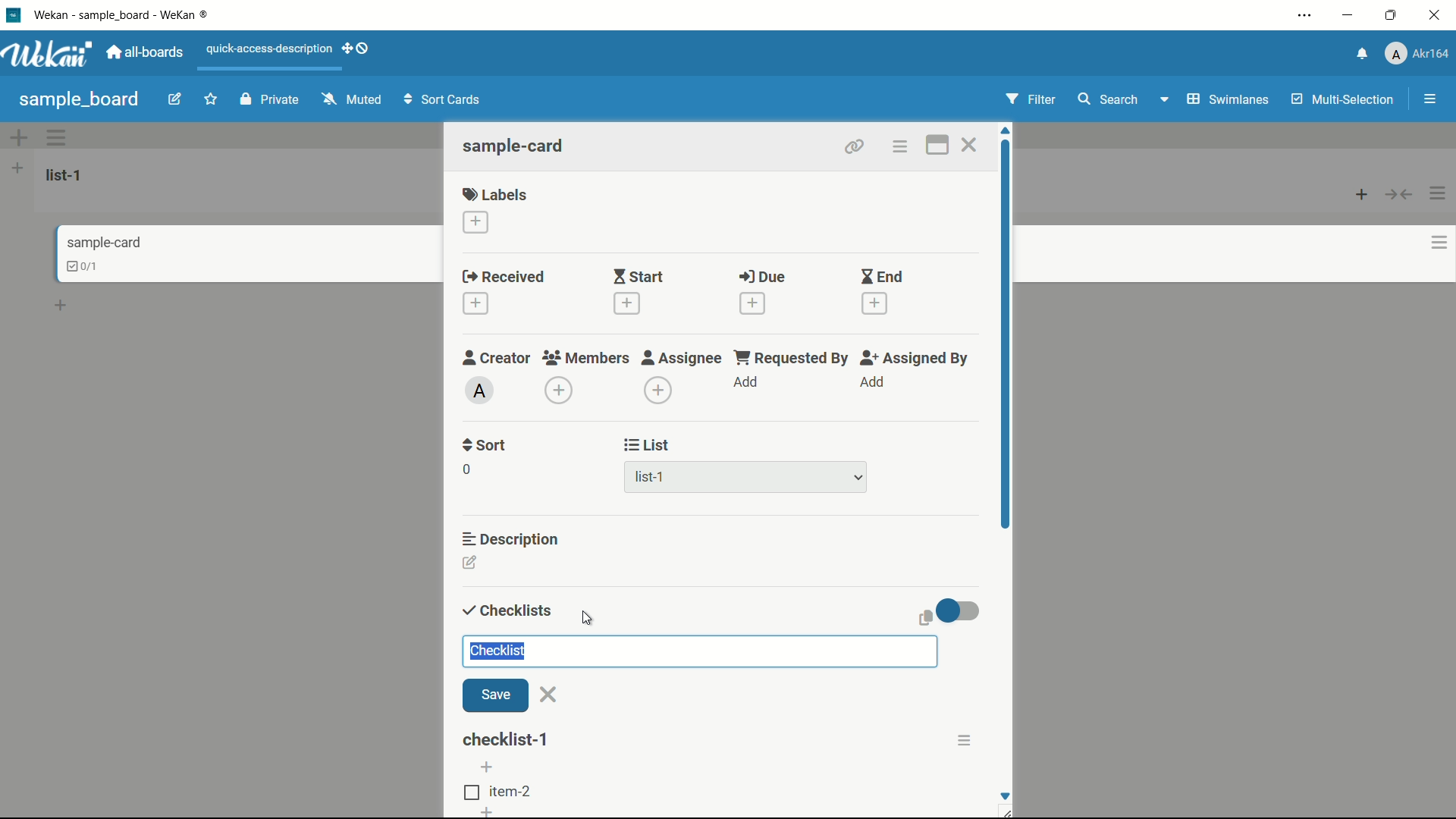  I want to click on add list, so click(17, 168).